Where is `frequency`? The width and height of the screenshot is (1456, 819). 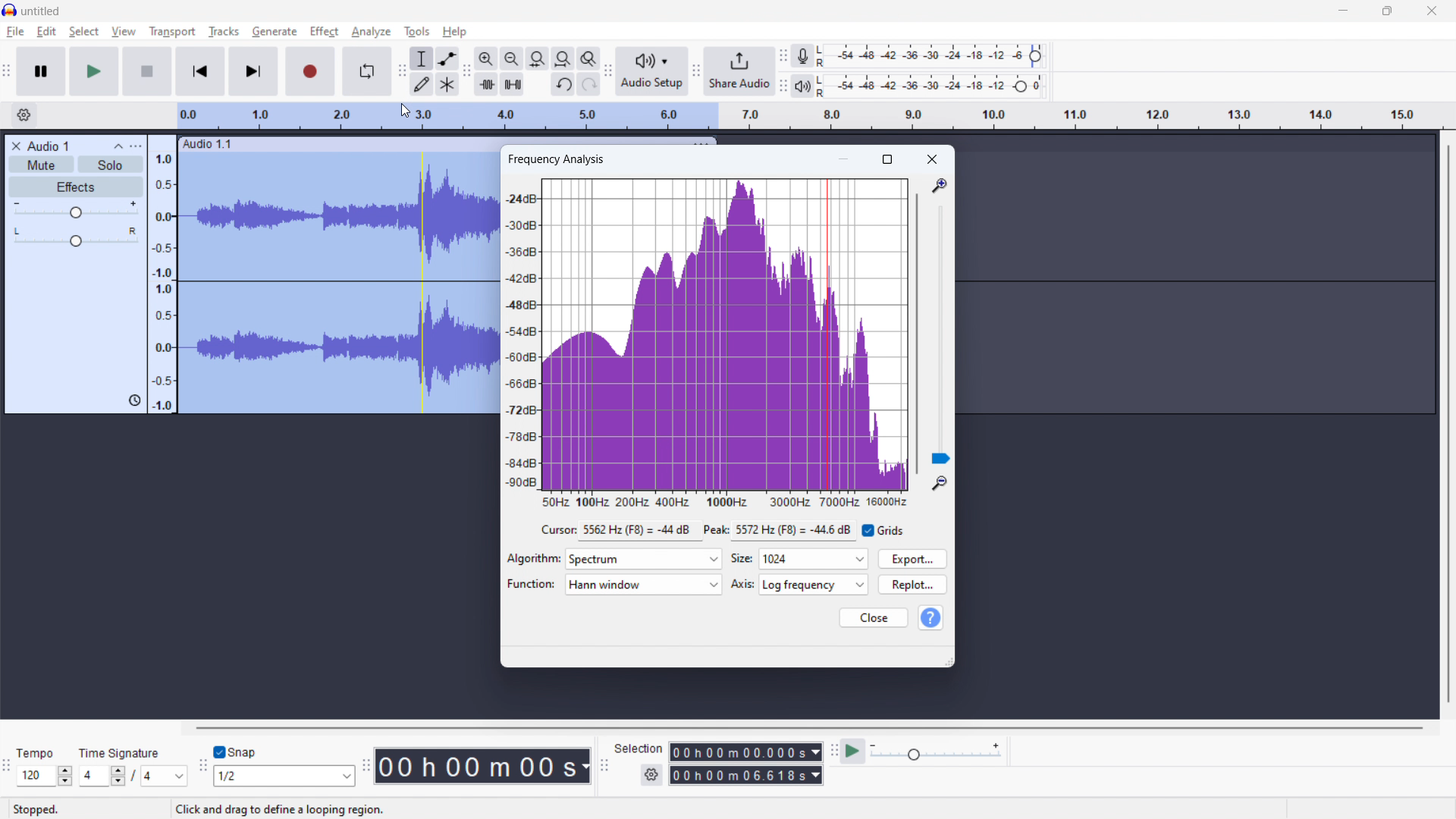
frequency is located at coordinates (723, 500).